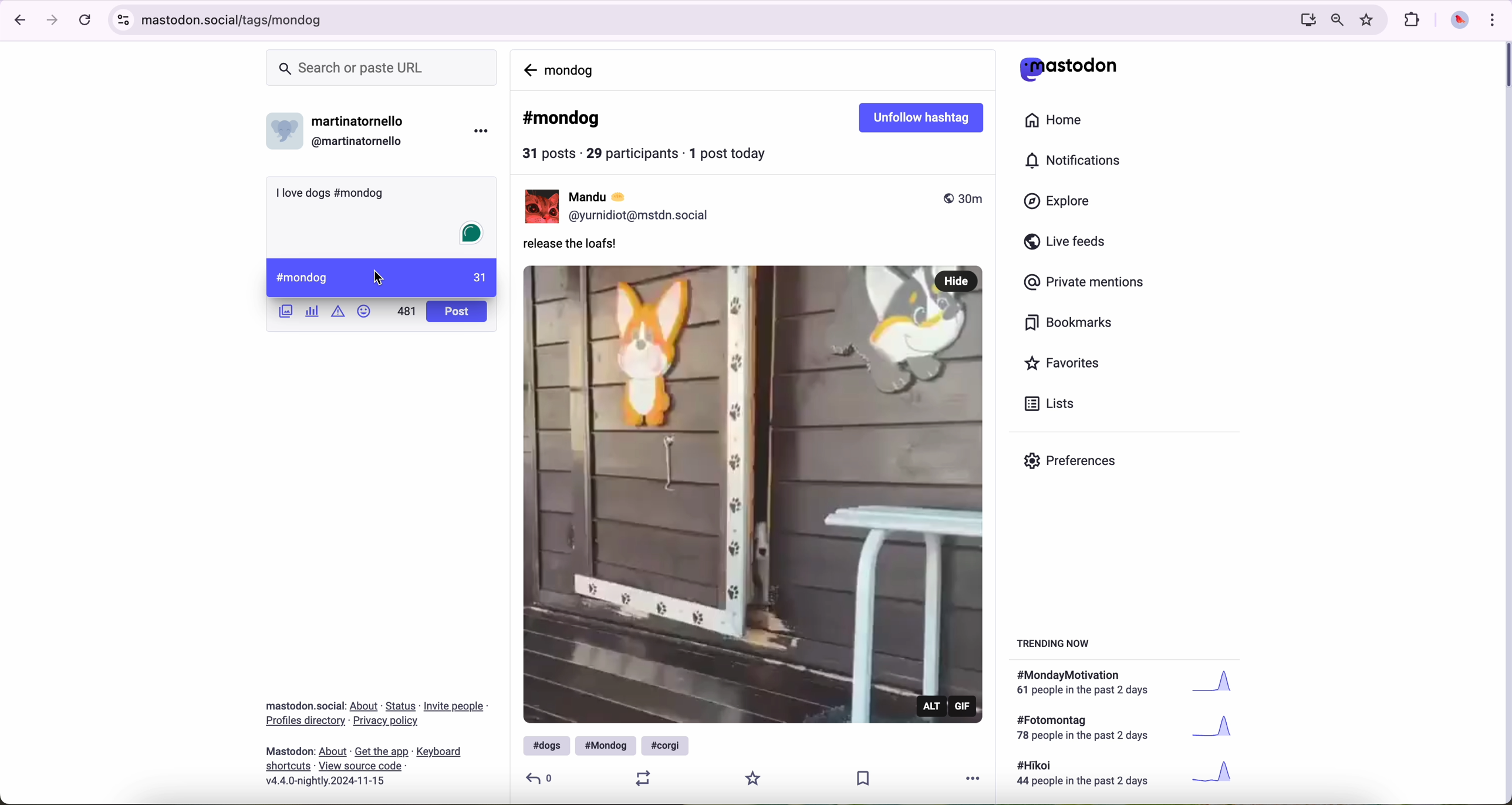 The image size is (1512, 805). I want to click on alt, so click(933, 705).